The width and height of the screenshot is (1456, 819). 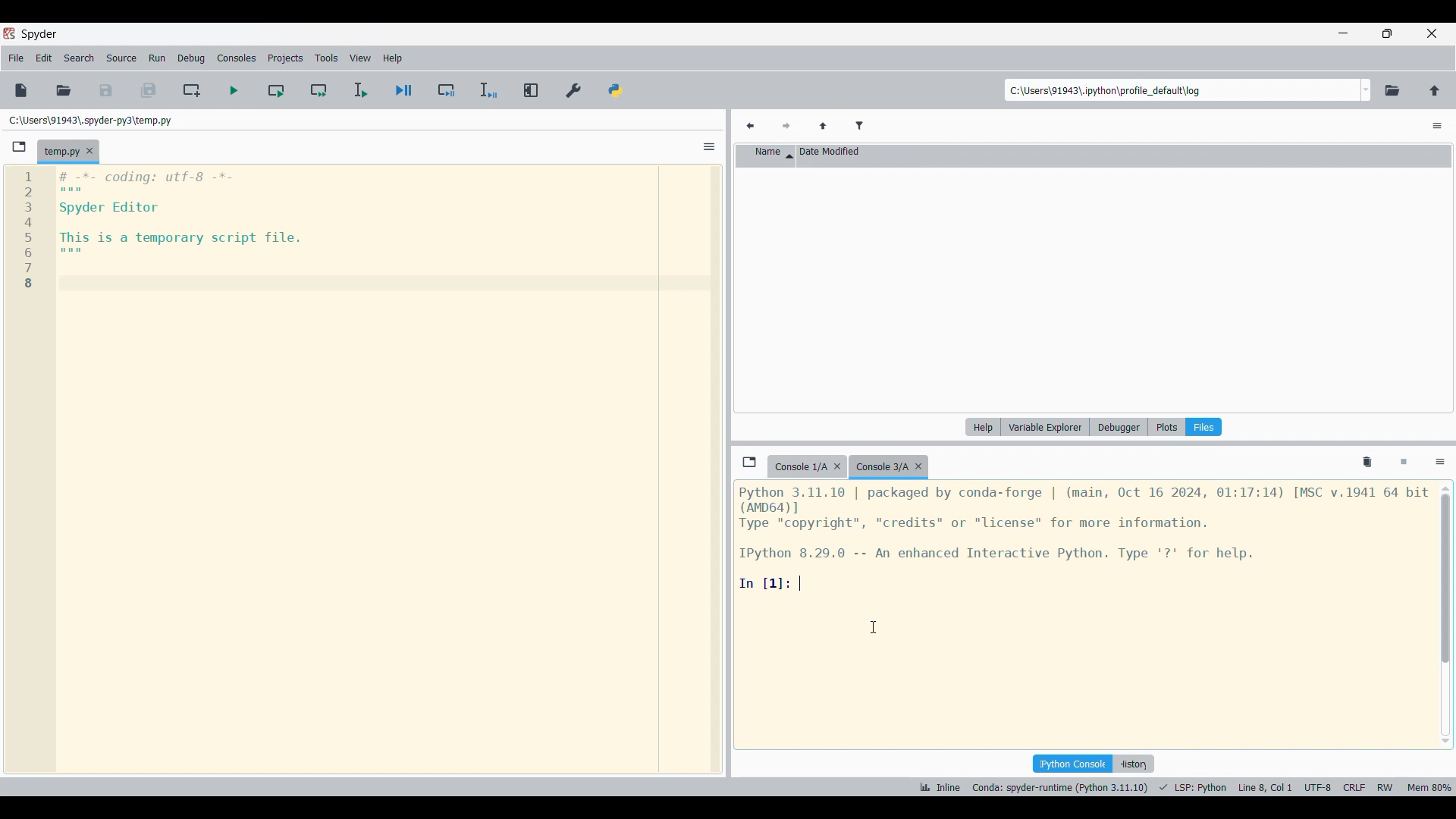 What do you see at coordinates (1404, 463) in the screenshot?
I see `Interrupt kernel` at bounding box center [1404, 463].